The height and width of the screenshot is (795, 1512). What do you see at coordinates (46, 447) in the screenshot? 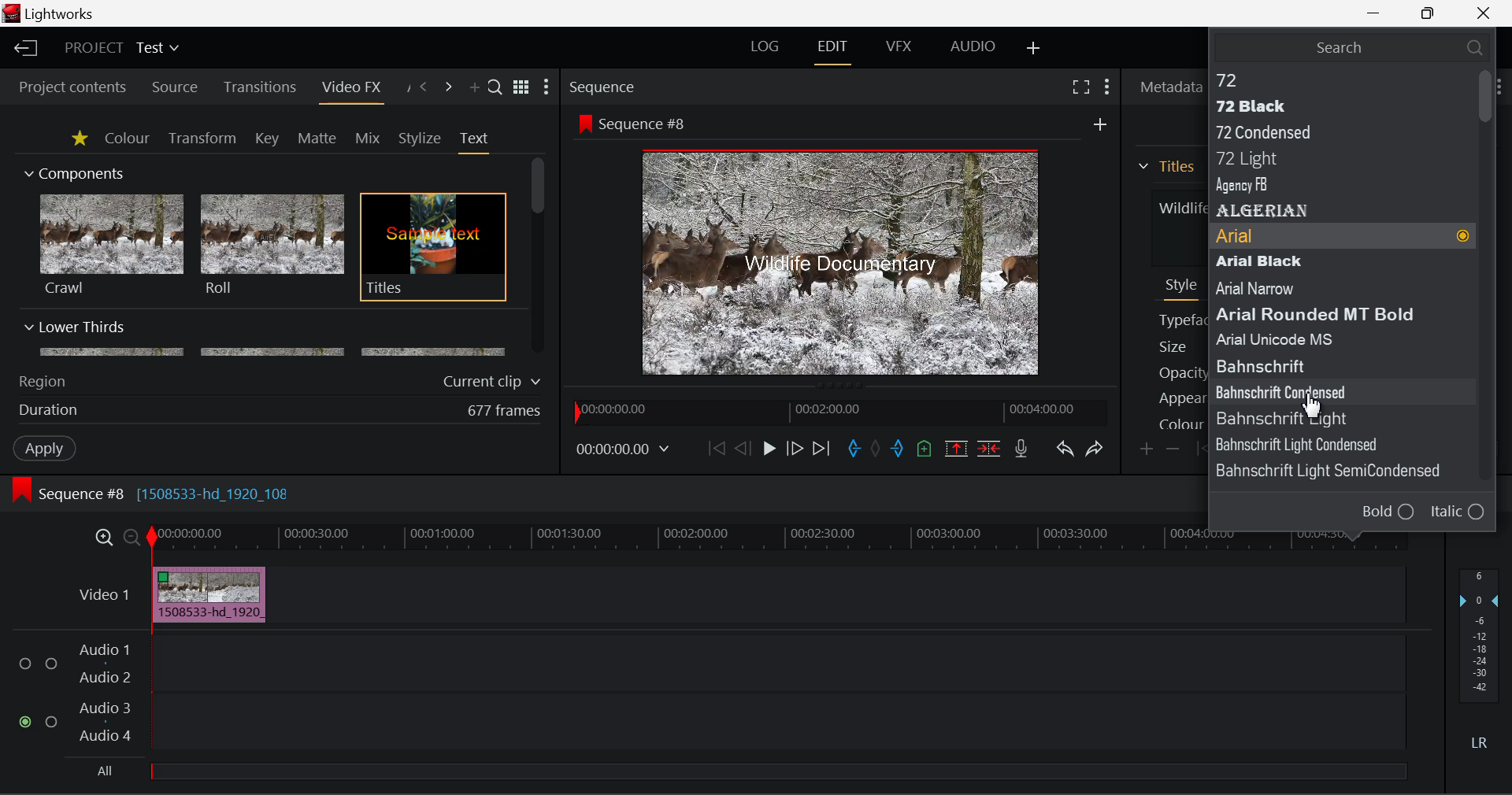
I see `Apply` at bounding box center [46, 447].